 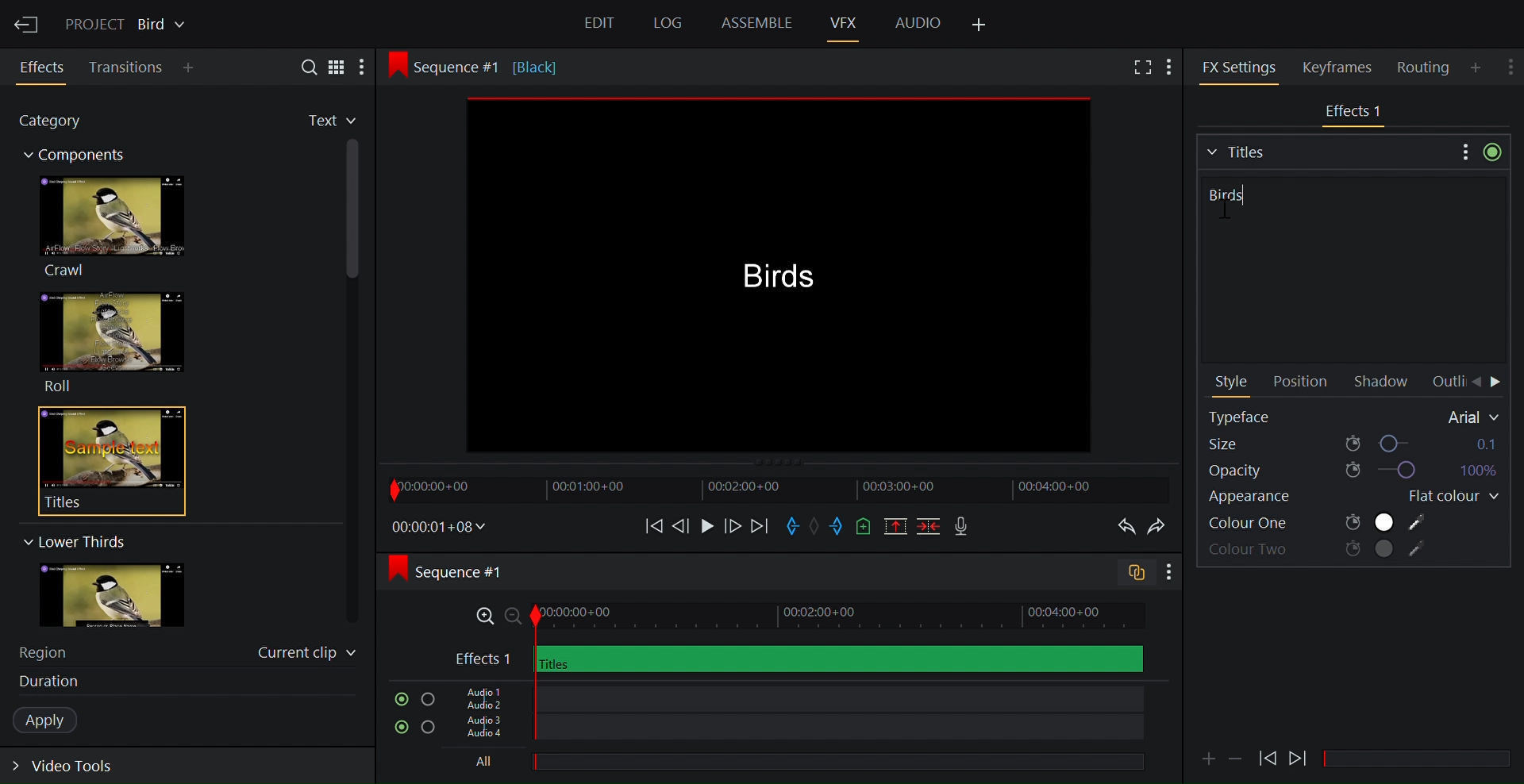 I want to click on Components, so click(x=82, y=157).